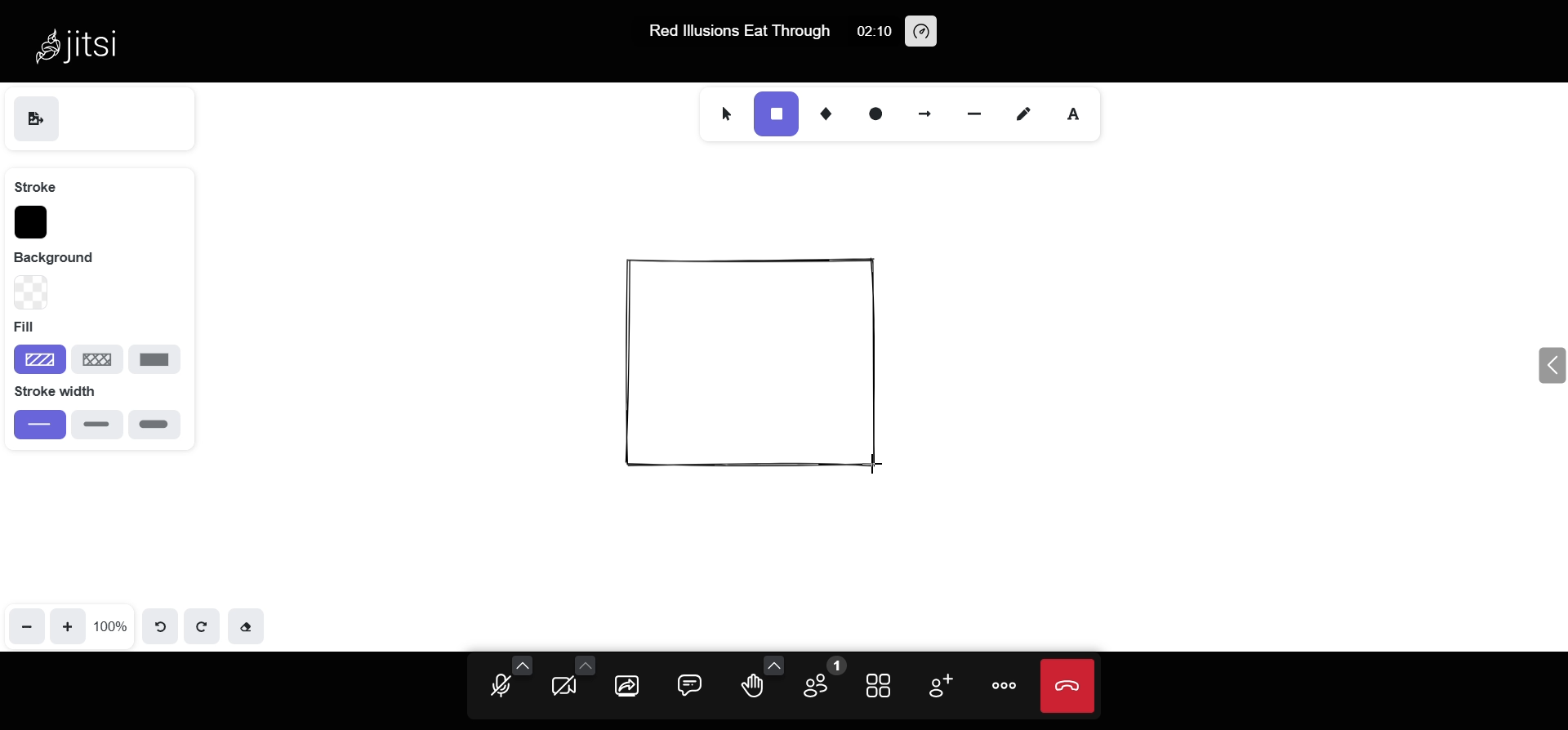  I want to click on text, so click(1080, 113).